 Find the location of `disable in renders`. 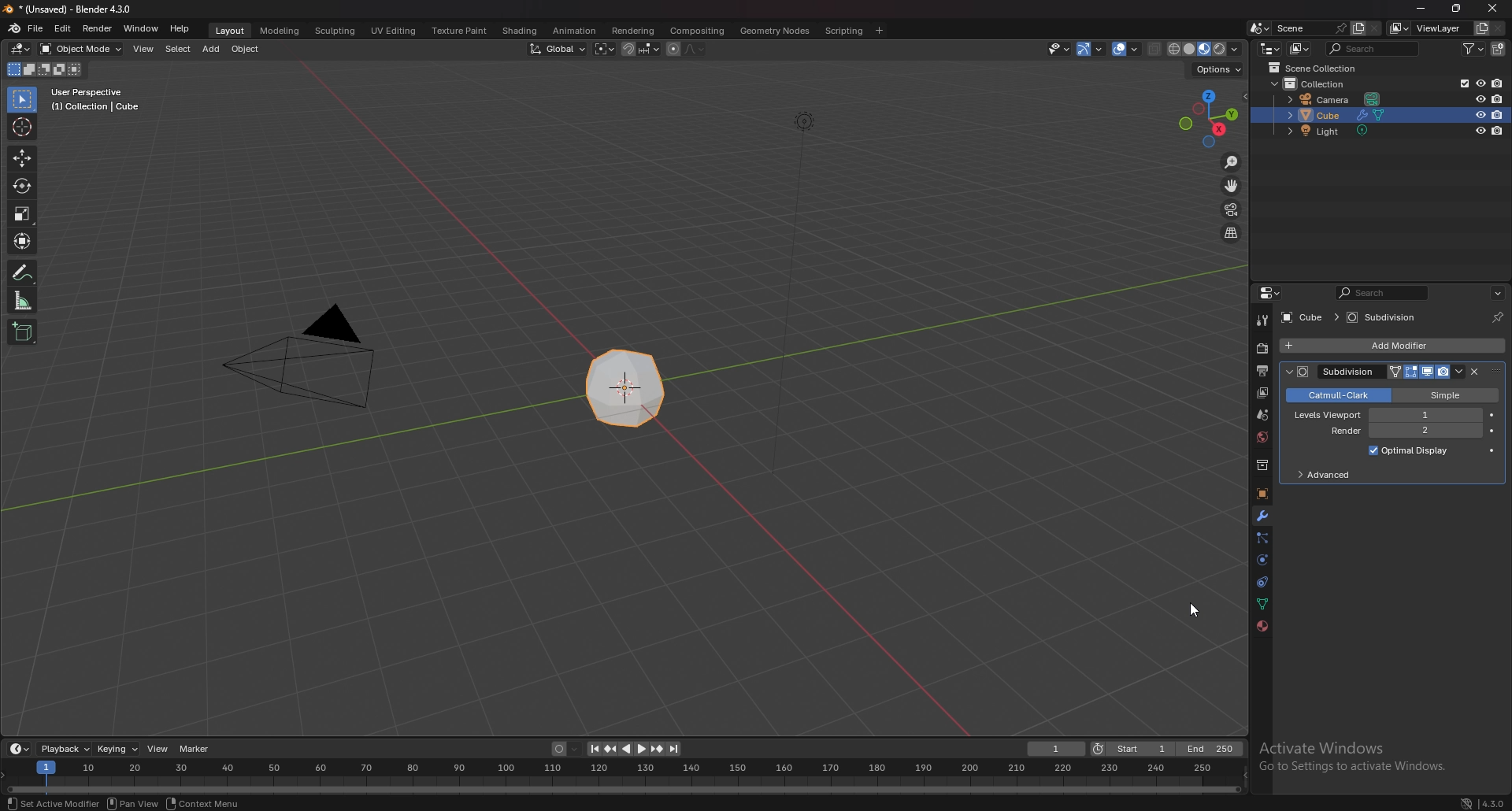

disable in renders is located at coordinates (1498, 99).